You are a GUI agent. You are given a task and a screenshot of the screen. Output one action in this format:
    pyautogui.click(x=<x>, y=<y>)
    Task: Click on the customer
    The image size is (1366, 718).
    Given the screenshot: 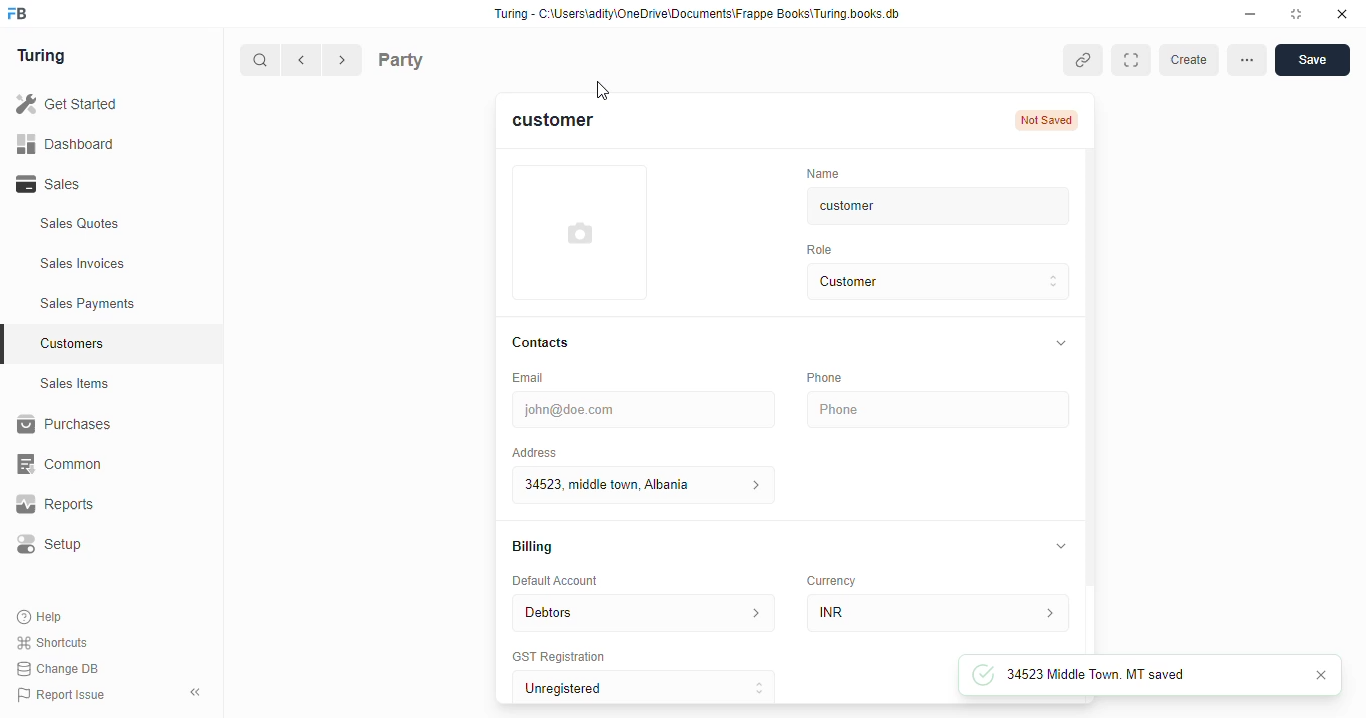 What is the action you would take?
    pyautogui.click(x=915, y=209)
    